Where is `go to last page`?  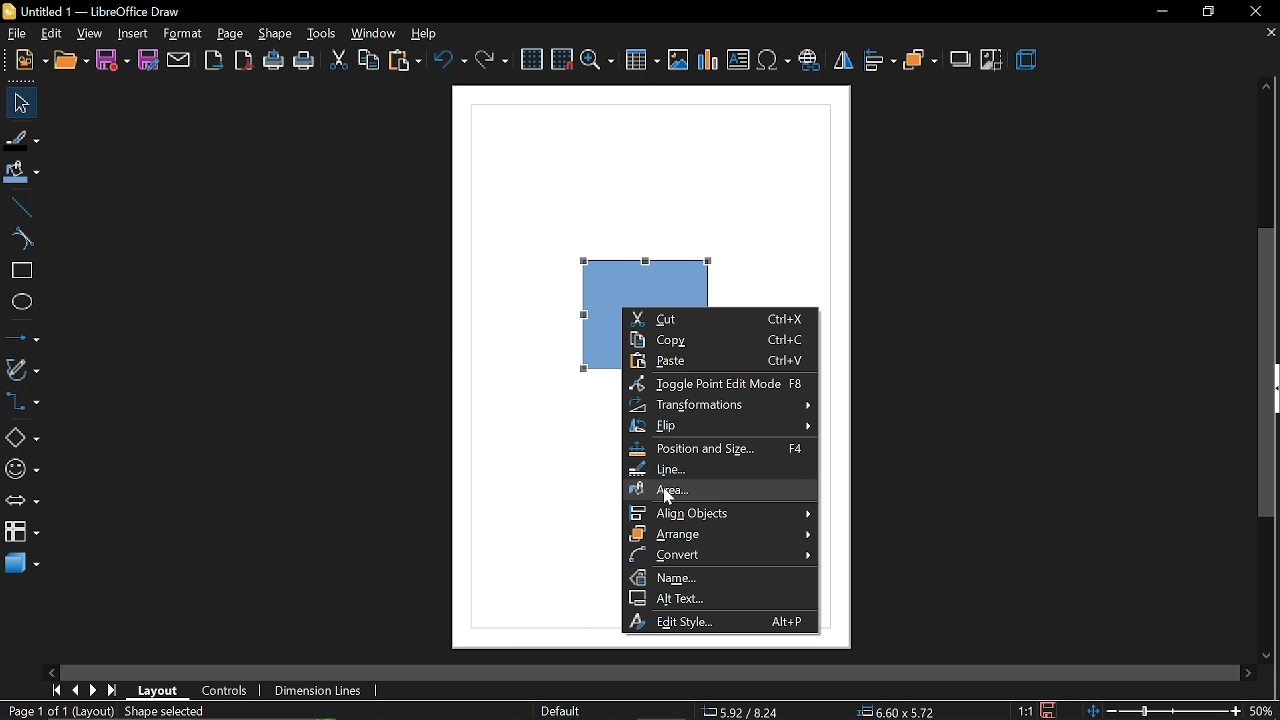 go to last page is located at coordinates (112, 691).